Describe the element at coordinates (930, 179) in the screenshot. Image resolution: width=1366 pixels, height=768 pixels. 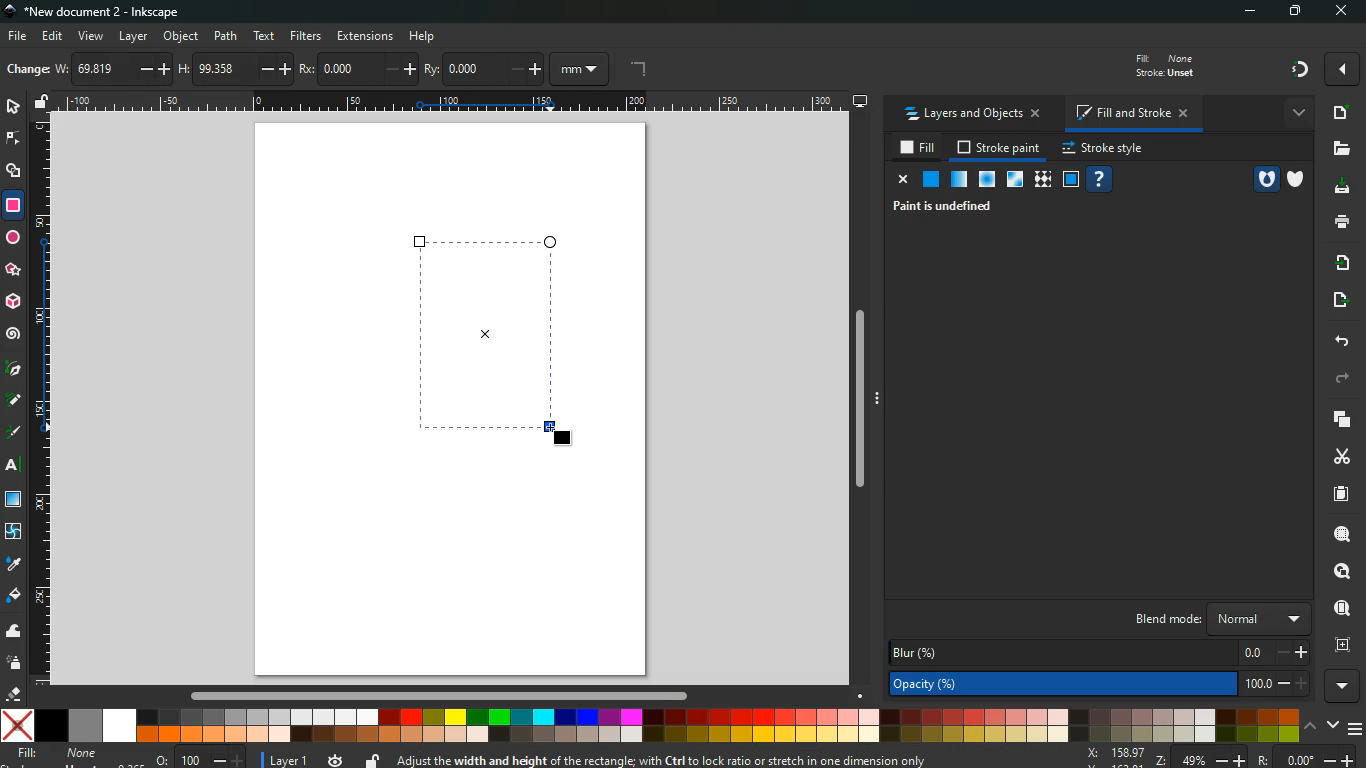
I see `normal` at that location.